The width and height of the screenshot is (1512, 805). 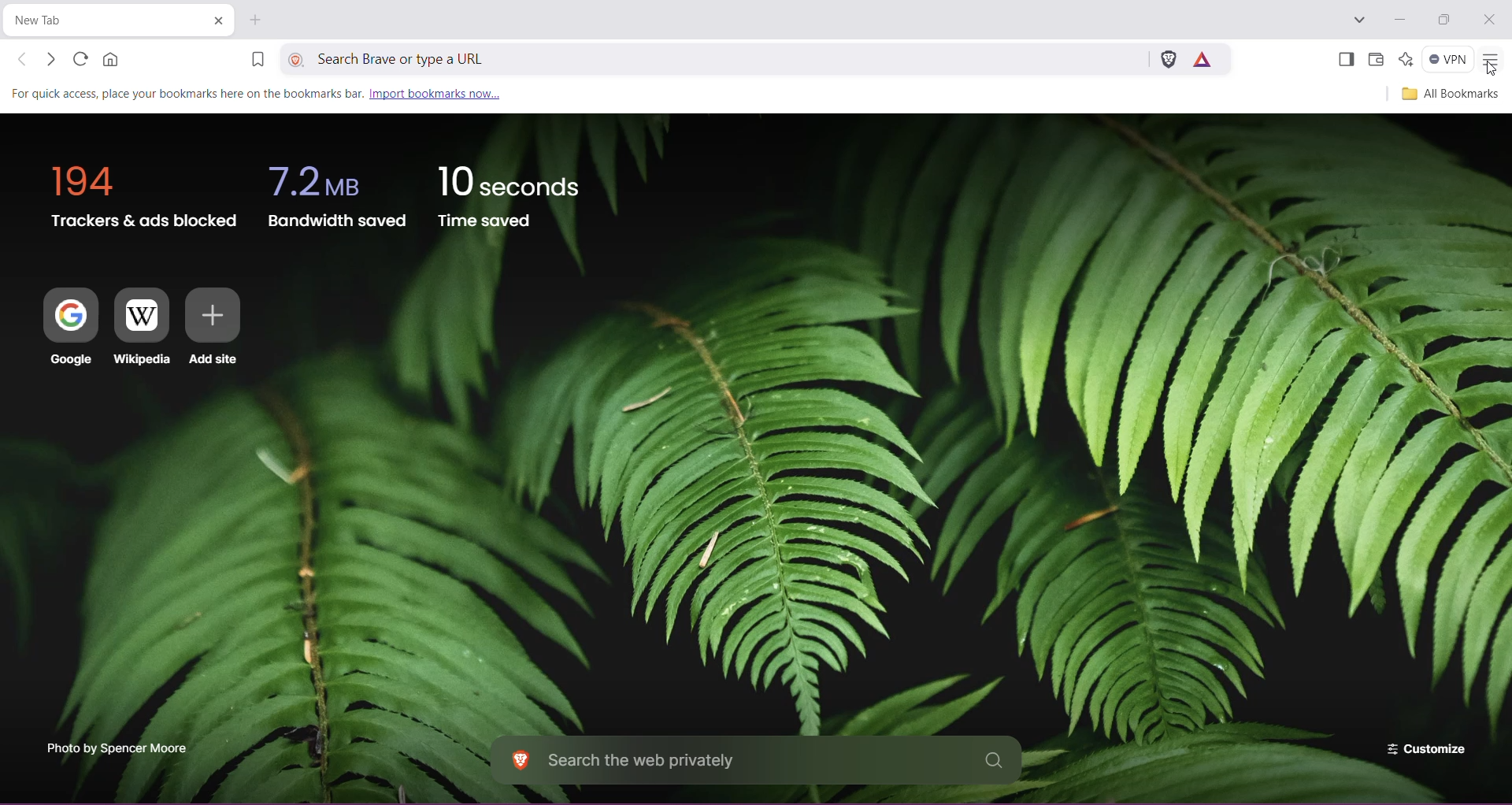 What do you see at coordinates (213, 328) in the screenshot?
I see `Add site` at bounding box center [213, 328].